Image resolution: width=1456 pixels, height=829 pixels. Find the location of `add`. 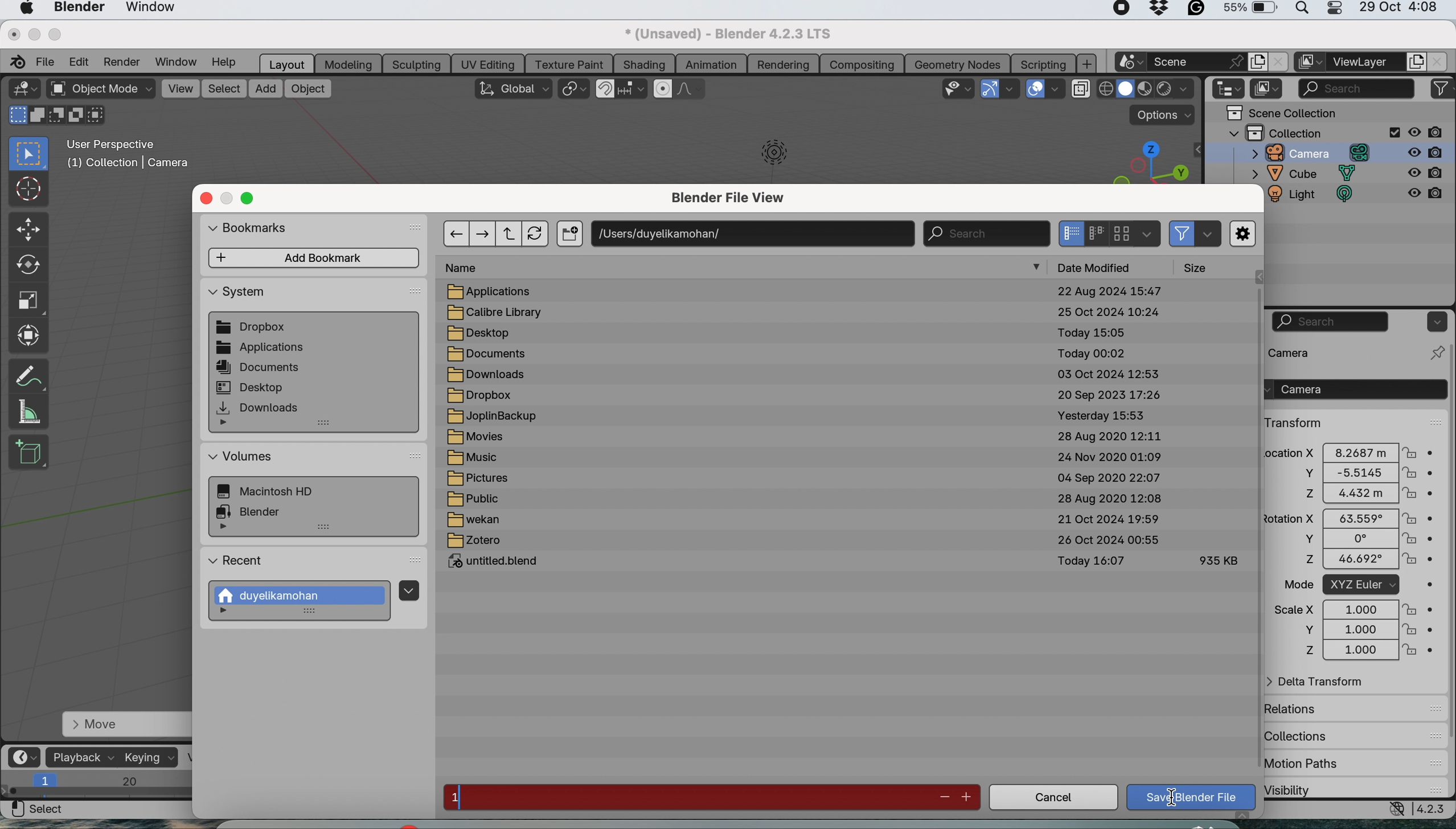

add is located at coordinates (1088, 64).